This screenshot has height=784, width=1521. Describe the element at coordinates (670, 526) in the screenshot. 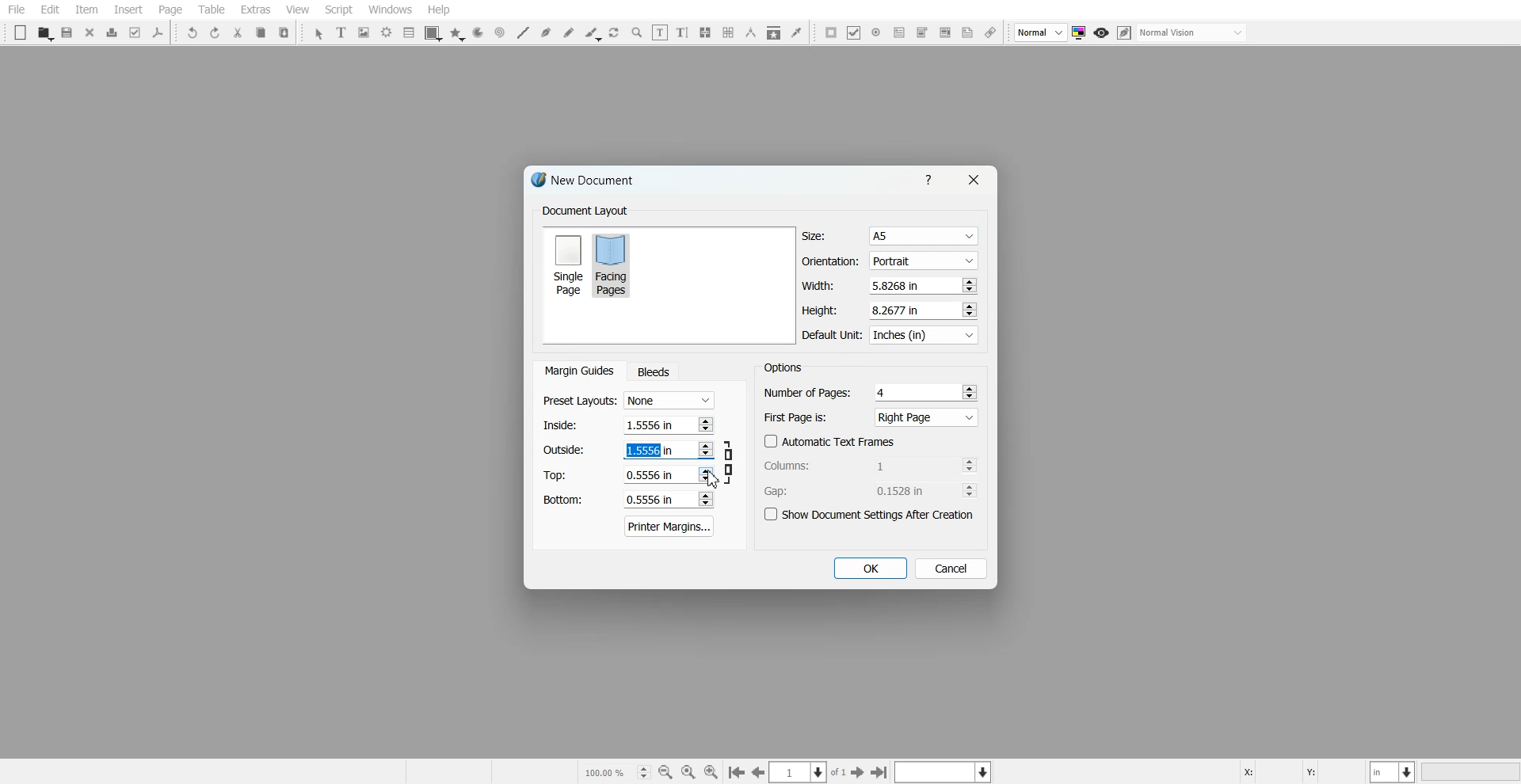

I see `Printer Margins` at that location.